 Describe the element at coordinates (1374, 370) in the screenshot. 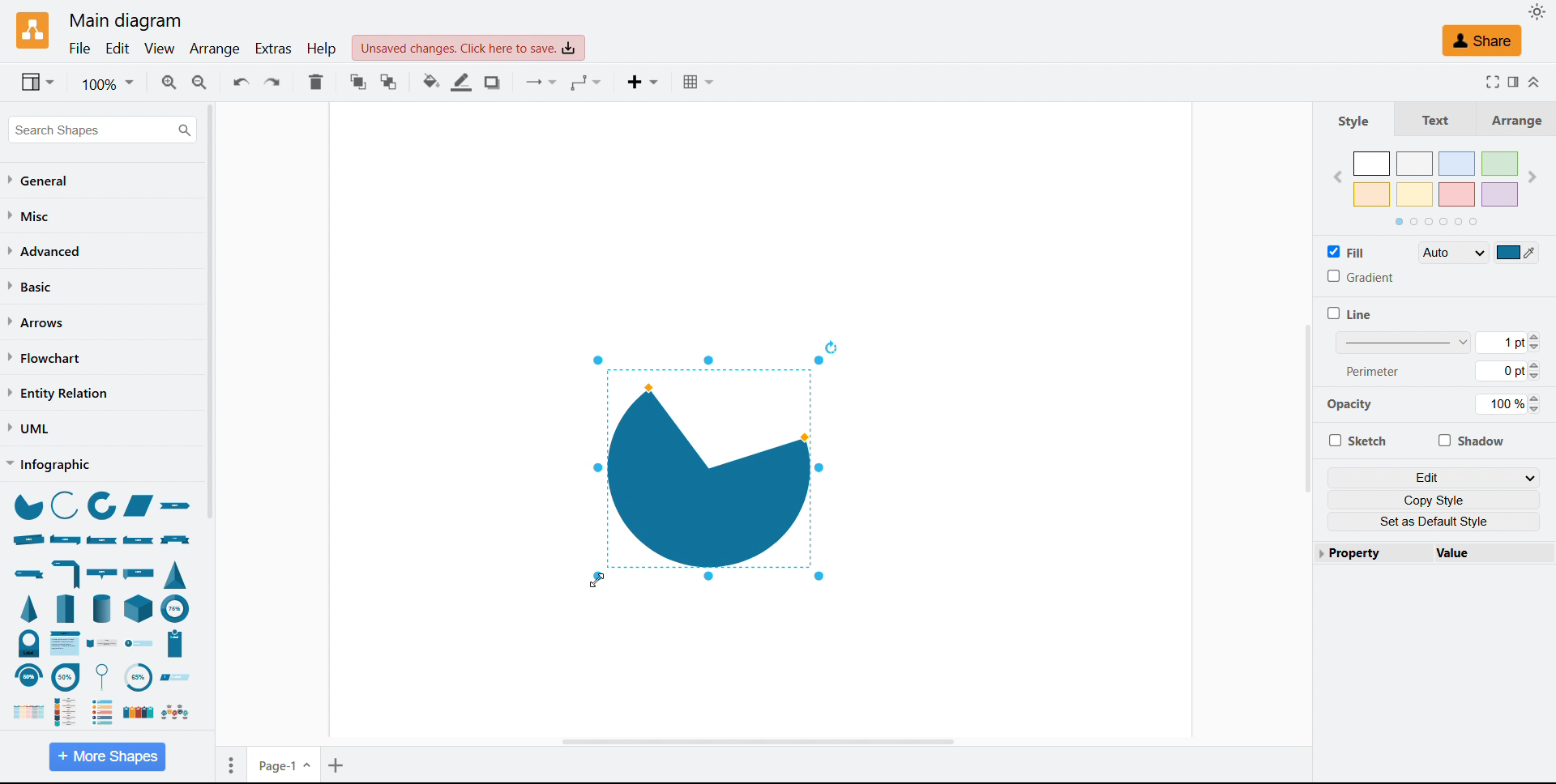

I see `perimeter` at that location.